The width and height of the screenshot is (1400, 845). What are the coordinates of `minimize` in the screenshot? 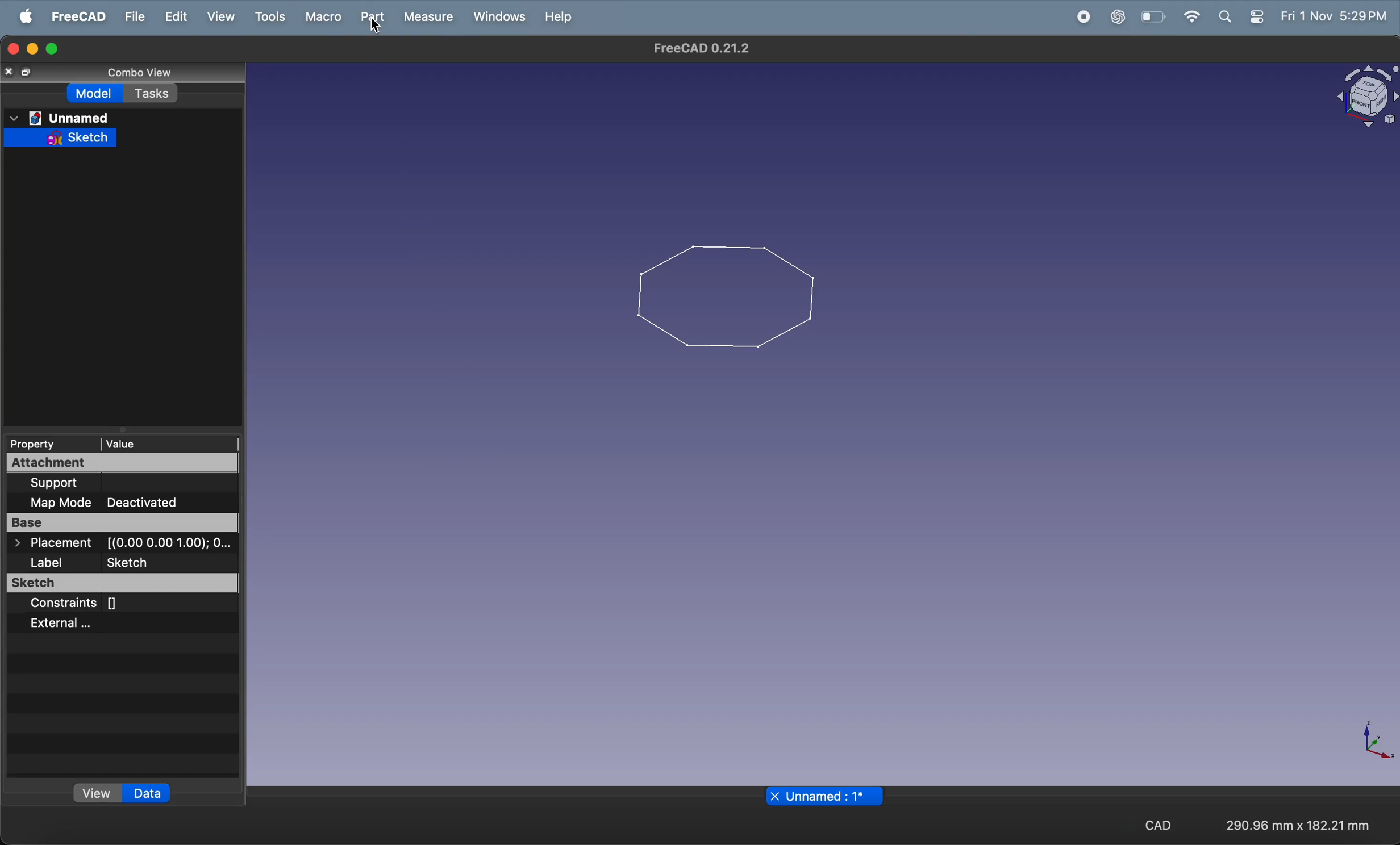 It's located at (34, 51).